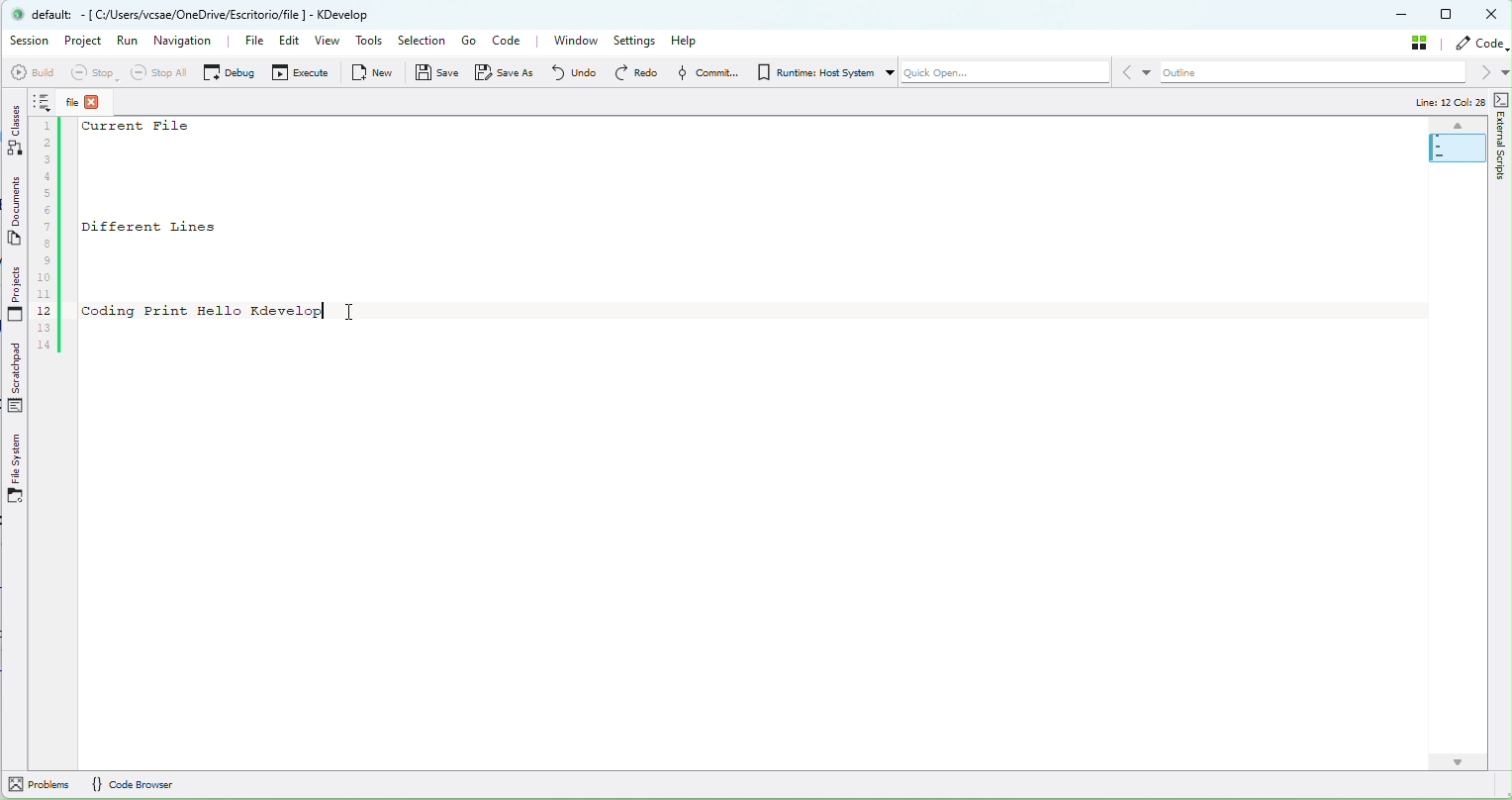 This screenshot has width=1512, height=800. What do you see at coordinates (155, 72) in the screenshot?
I see `Stop all` at bounding box center [155, 72].